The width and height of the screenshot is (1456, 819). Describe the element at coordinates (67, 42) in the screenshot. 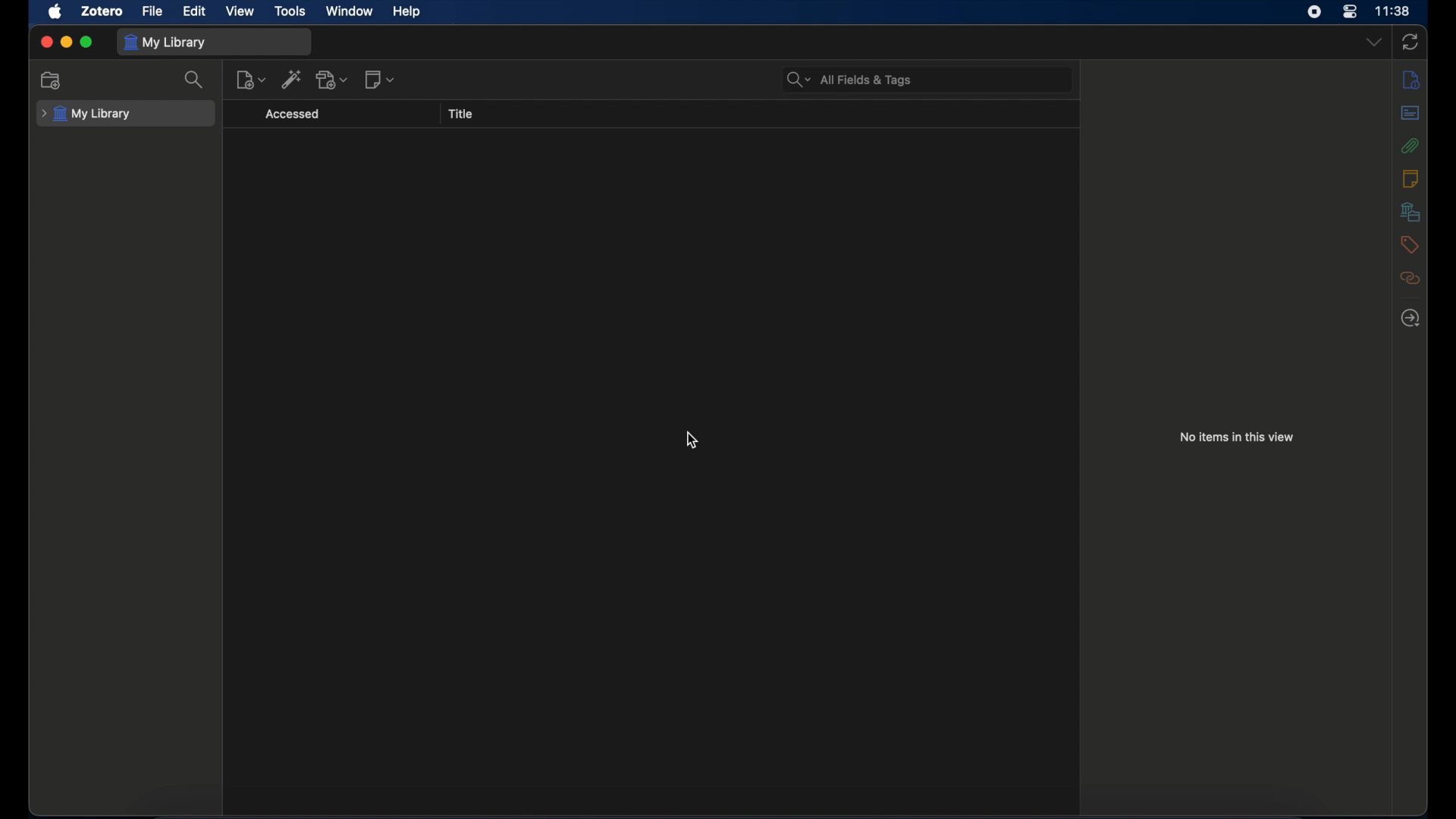

I see `minimize` at that location.